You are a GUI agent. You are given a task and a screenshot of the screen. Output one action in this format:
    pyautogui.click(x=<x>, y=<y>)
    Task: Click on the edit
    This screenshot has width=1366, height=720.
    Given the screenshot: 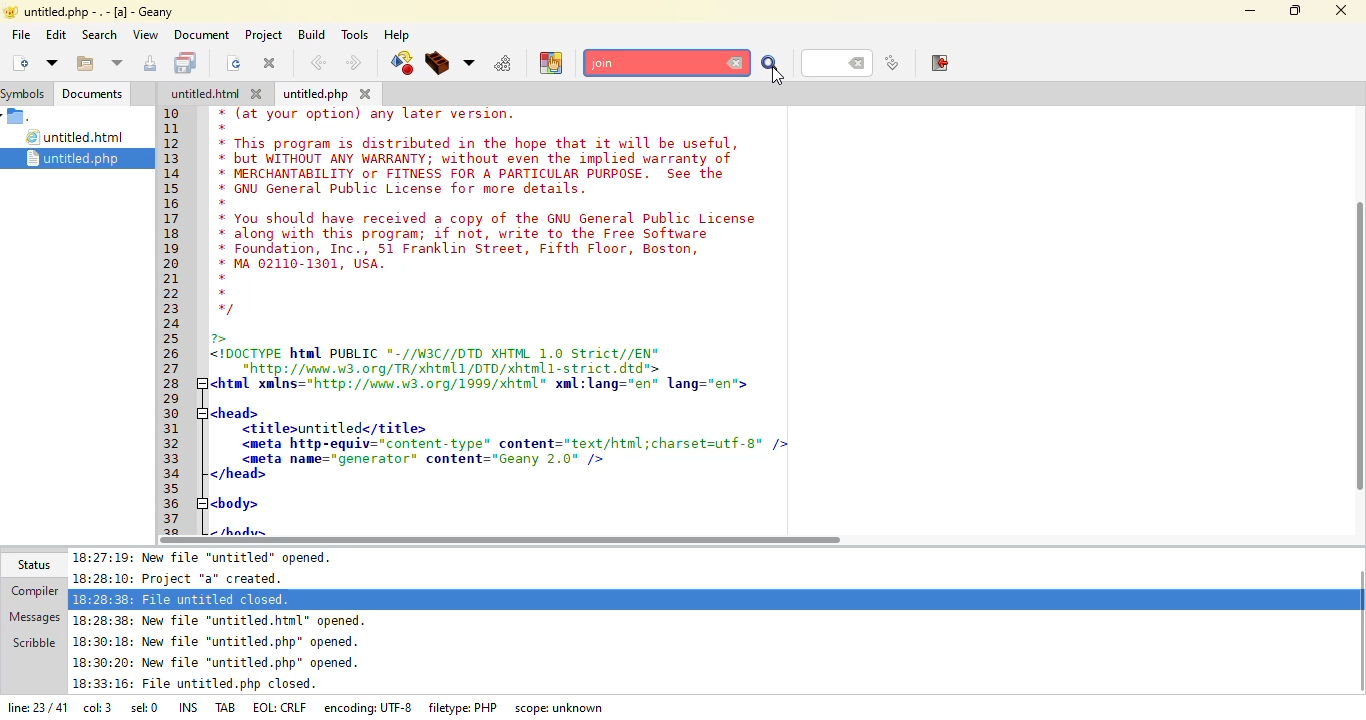 What is the action you would take?
    pyautogui.click(x=55, y=34)
    